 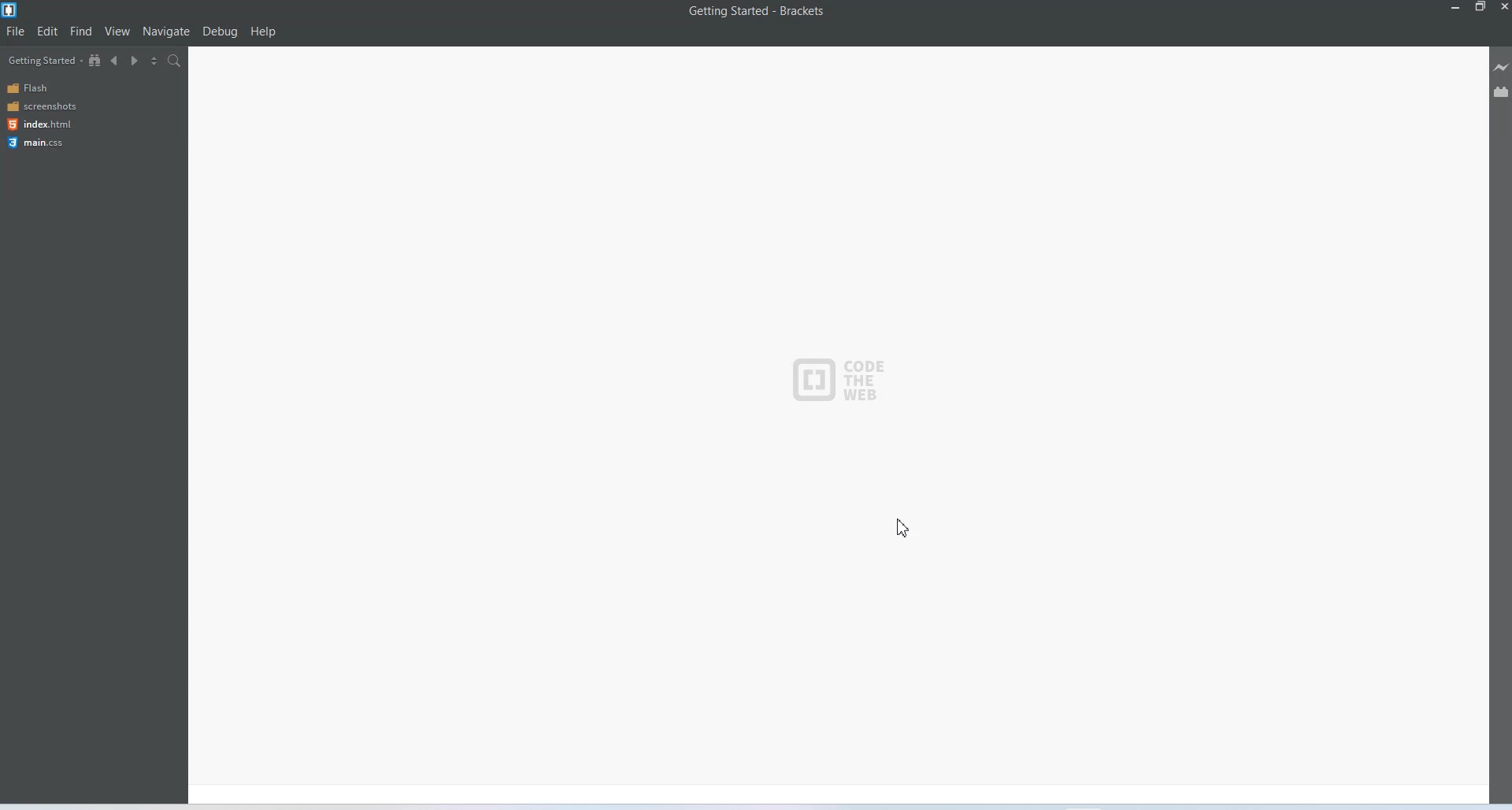 What do you see at coordinates (835, 377) in the screenshot?
I see `CODE THE WEB` at bounding box center [835, 377].